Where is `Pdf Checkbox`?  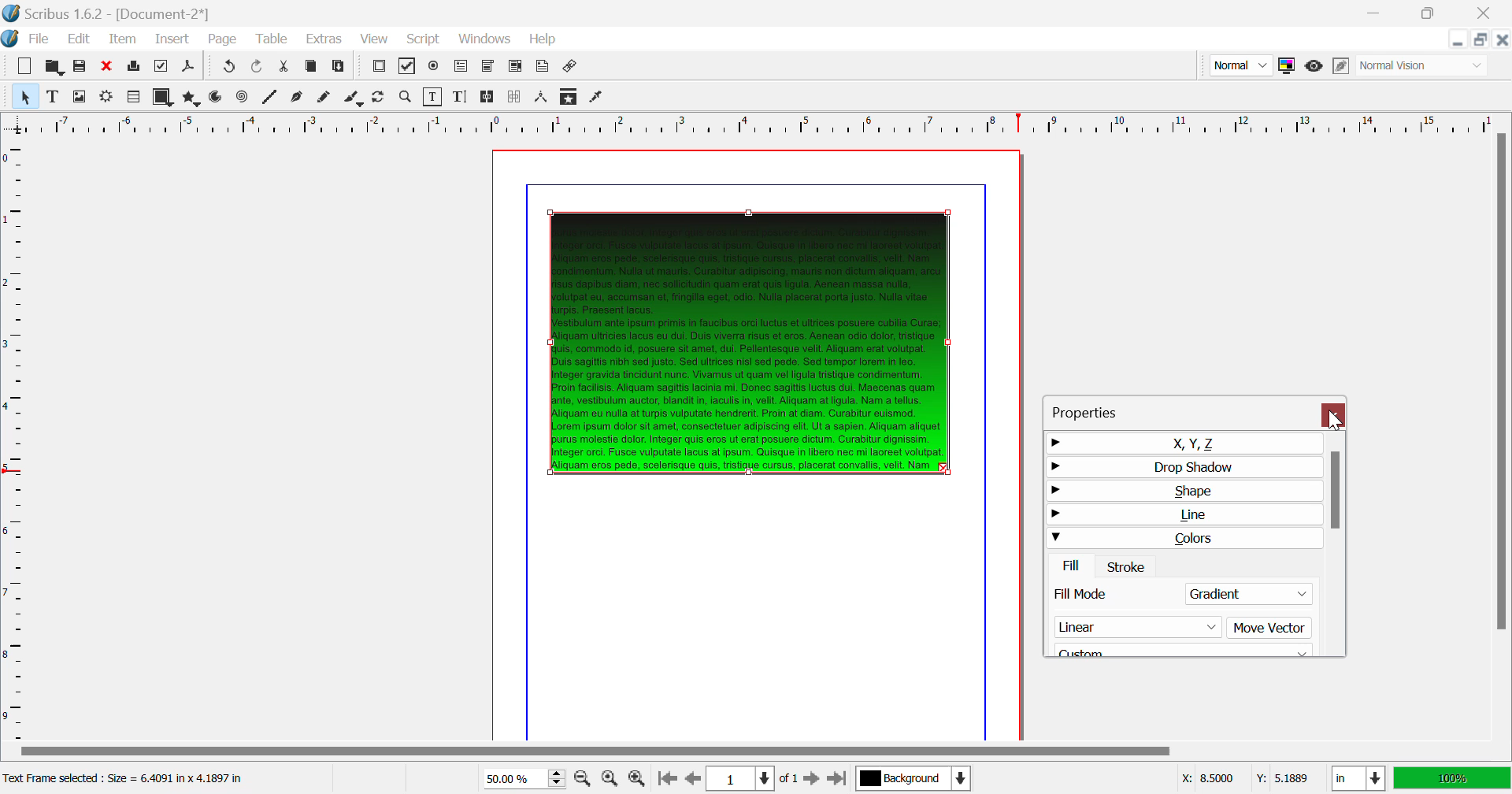
Pdf Checkbox is located at coordinates (408, 69).